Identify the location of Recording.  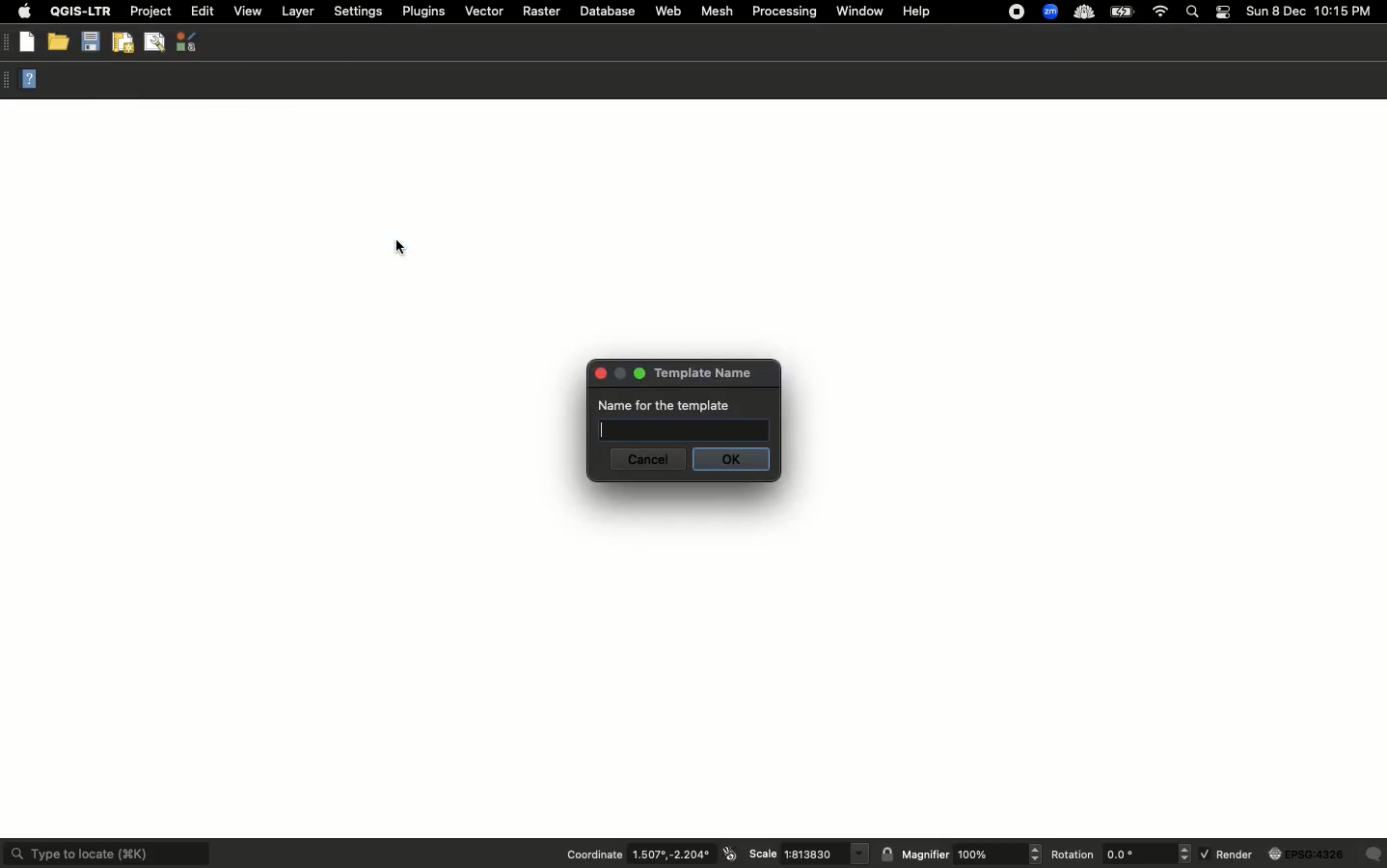
(1015, 12).